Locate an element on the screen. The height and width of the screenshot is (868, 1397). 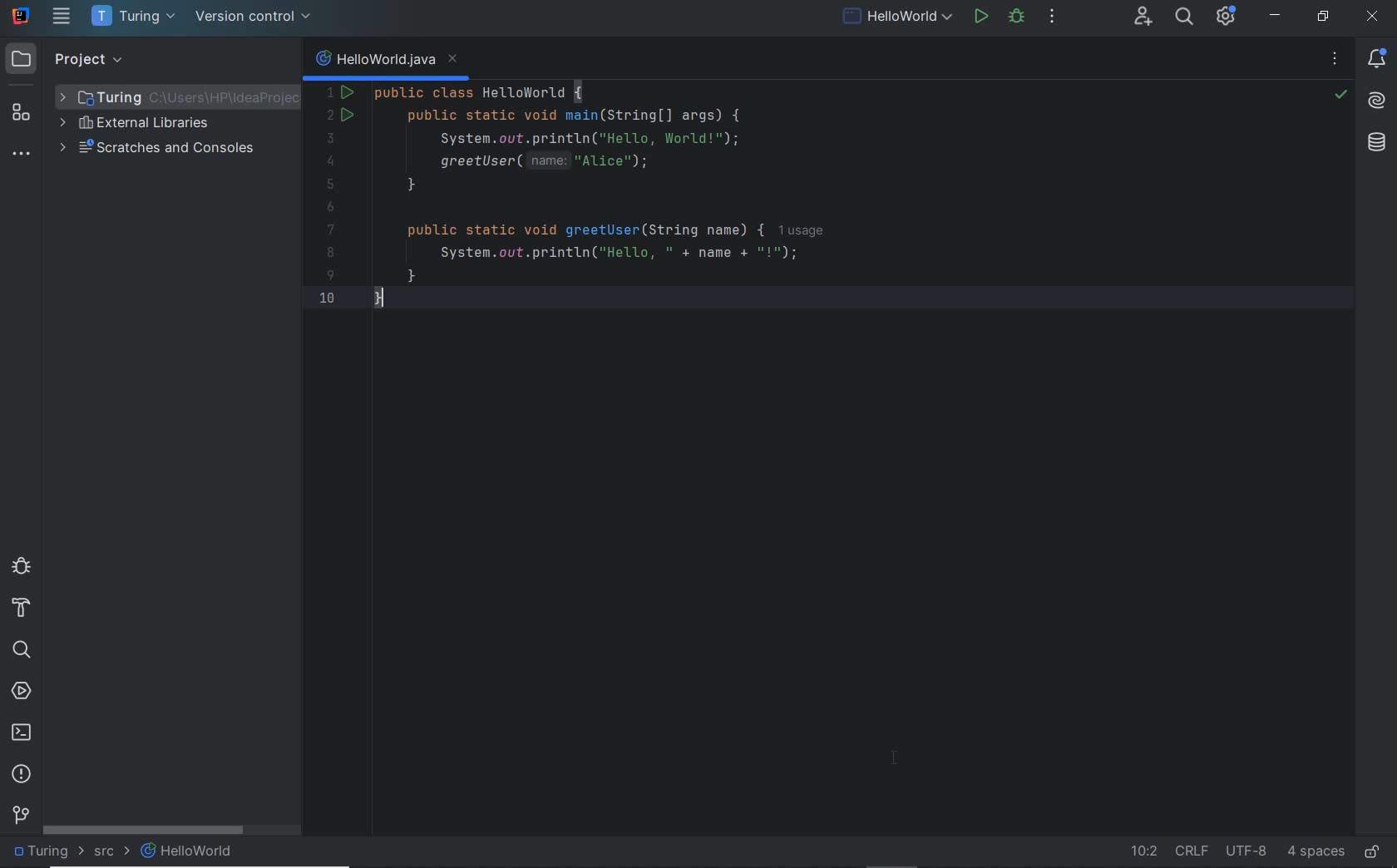
Database is located at coordinates (1380, 146).